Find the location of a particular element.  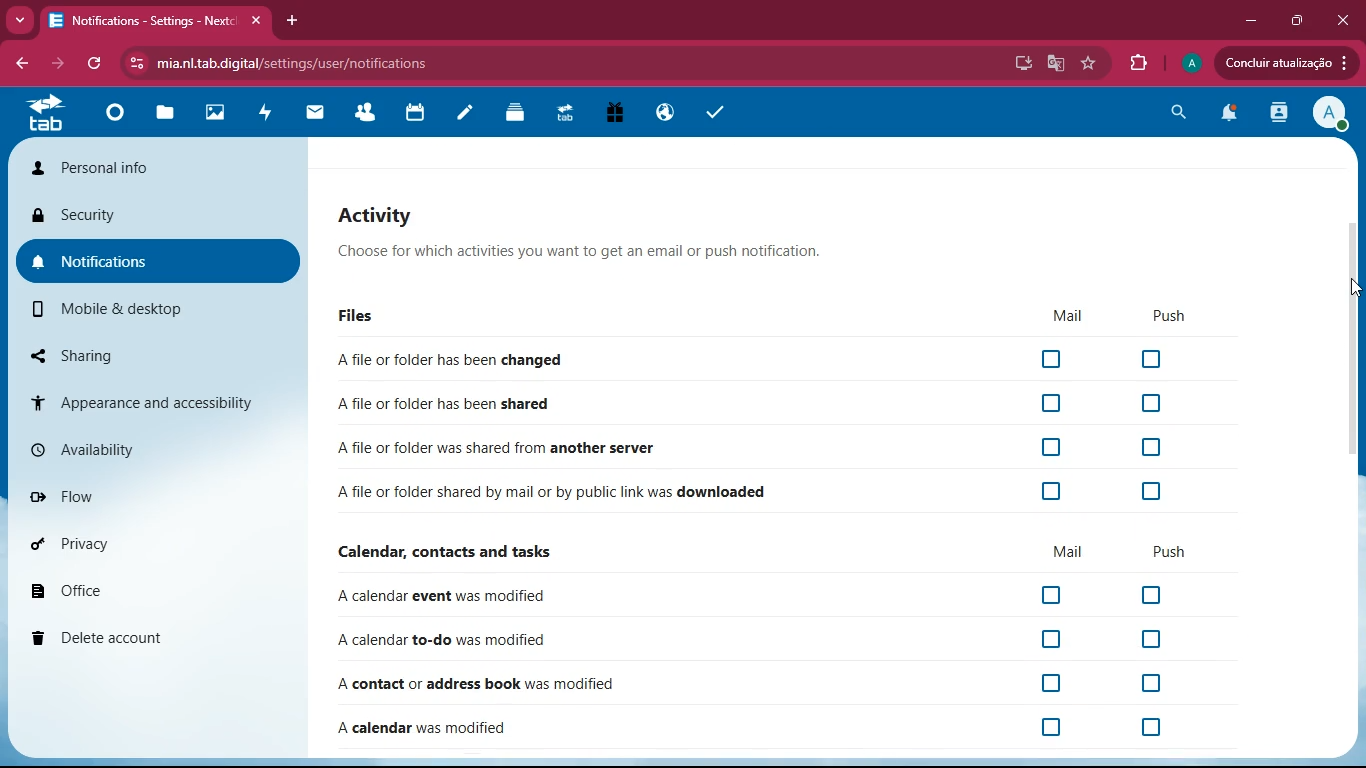

A calendar was modified is located at coordinates (425, 730).